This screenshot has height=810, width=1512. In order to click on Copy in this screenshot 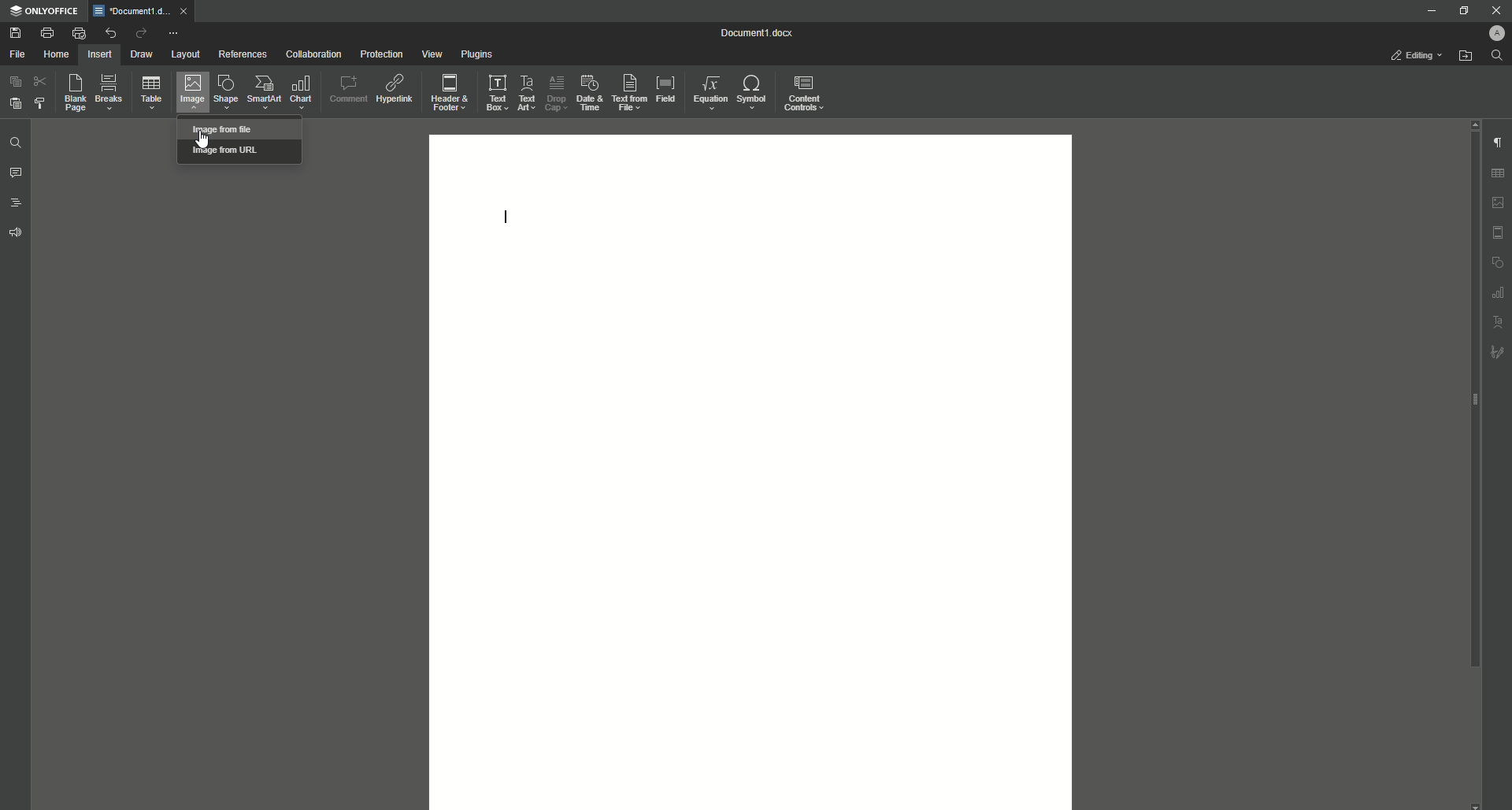, I will do `click(17, 80)`.